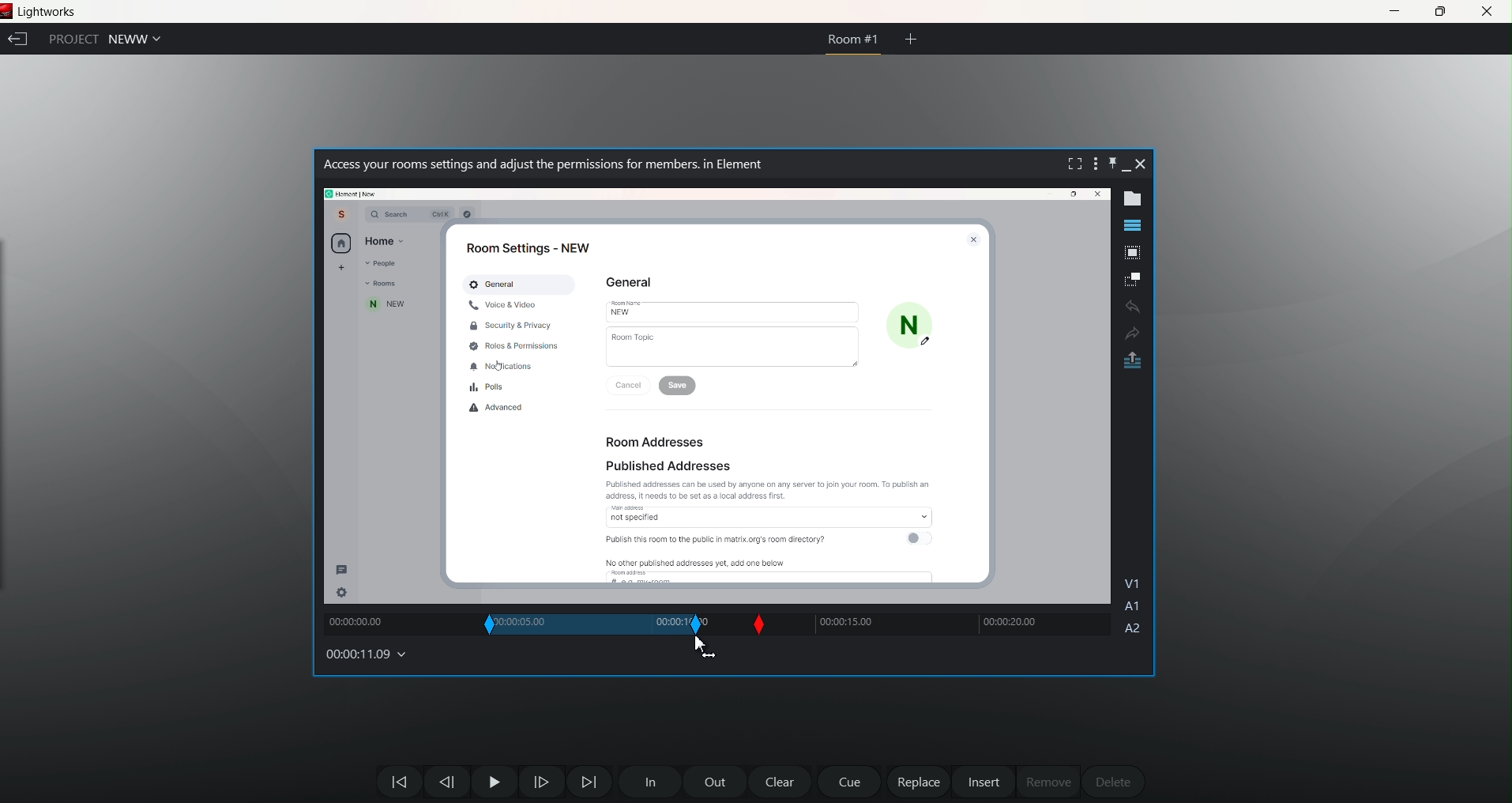  I want to click on  new, so click(387, 305).